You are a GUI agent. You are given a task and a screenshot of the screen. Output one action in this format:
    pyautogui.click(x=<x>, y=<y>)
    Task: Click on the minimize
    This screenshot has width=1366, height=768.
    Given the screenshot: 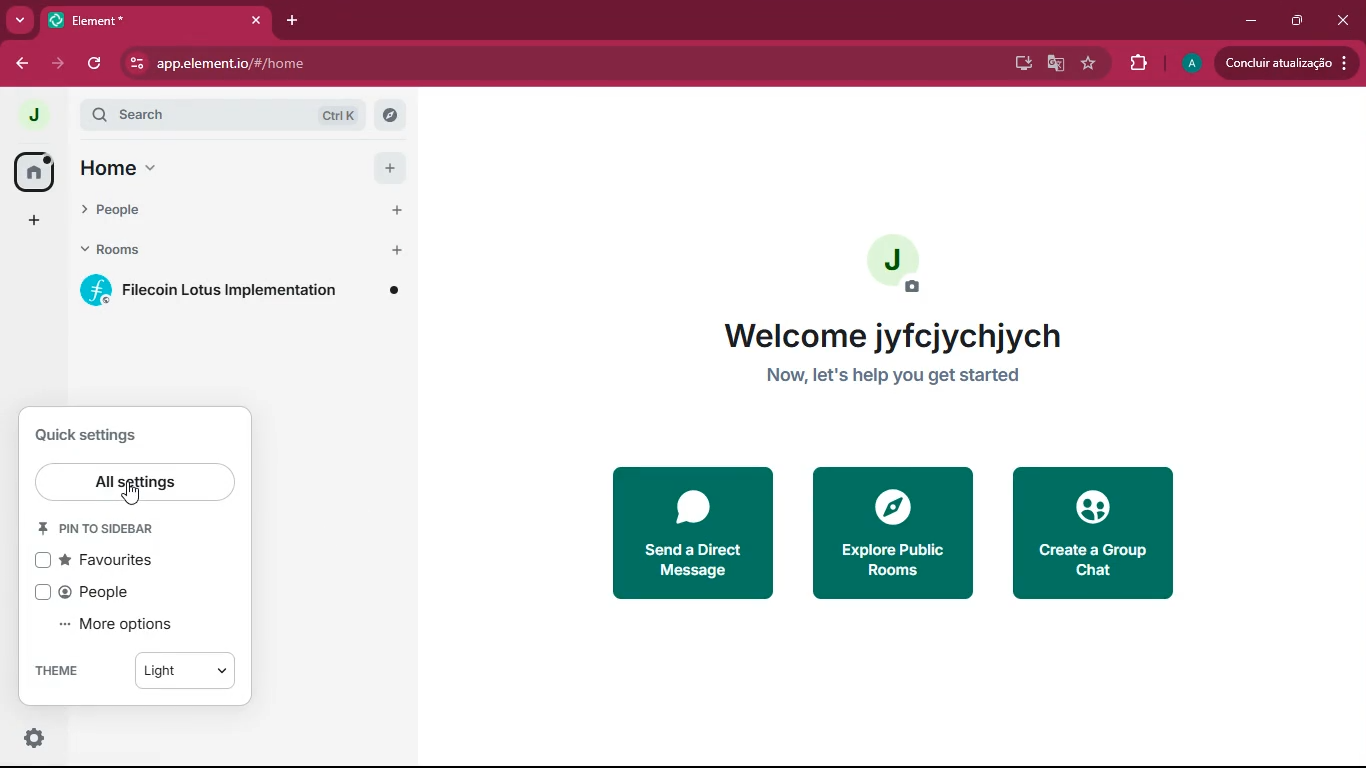 What is the action you would take?
    pyautogui.click(x=1246, y=21)
    